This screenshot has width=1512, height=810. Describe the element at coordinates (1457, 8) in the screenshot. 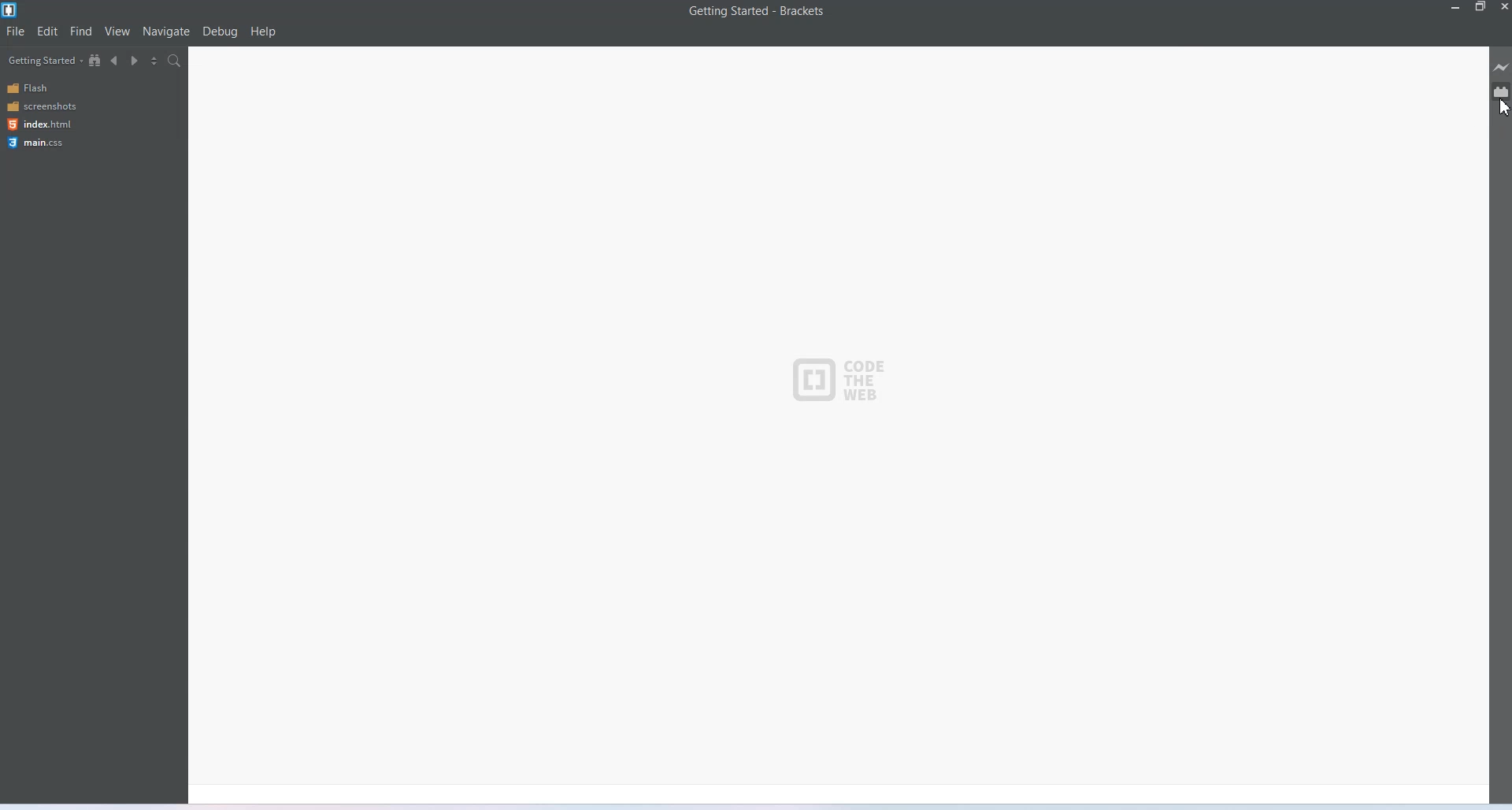

I see `Minimize` at that location.